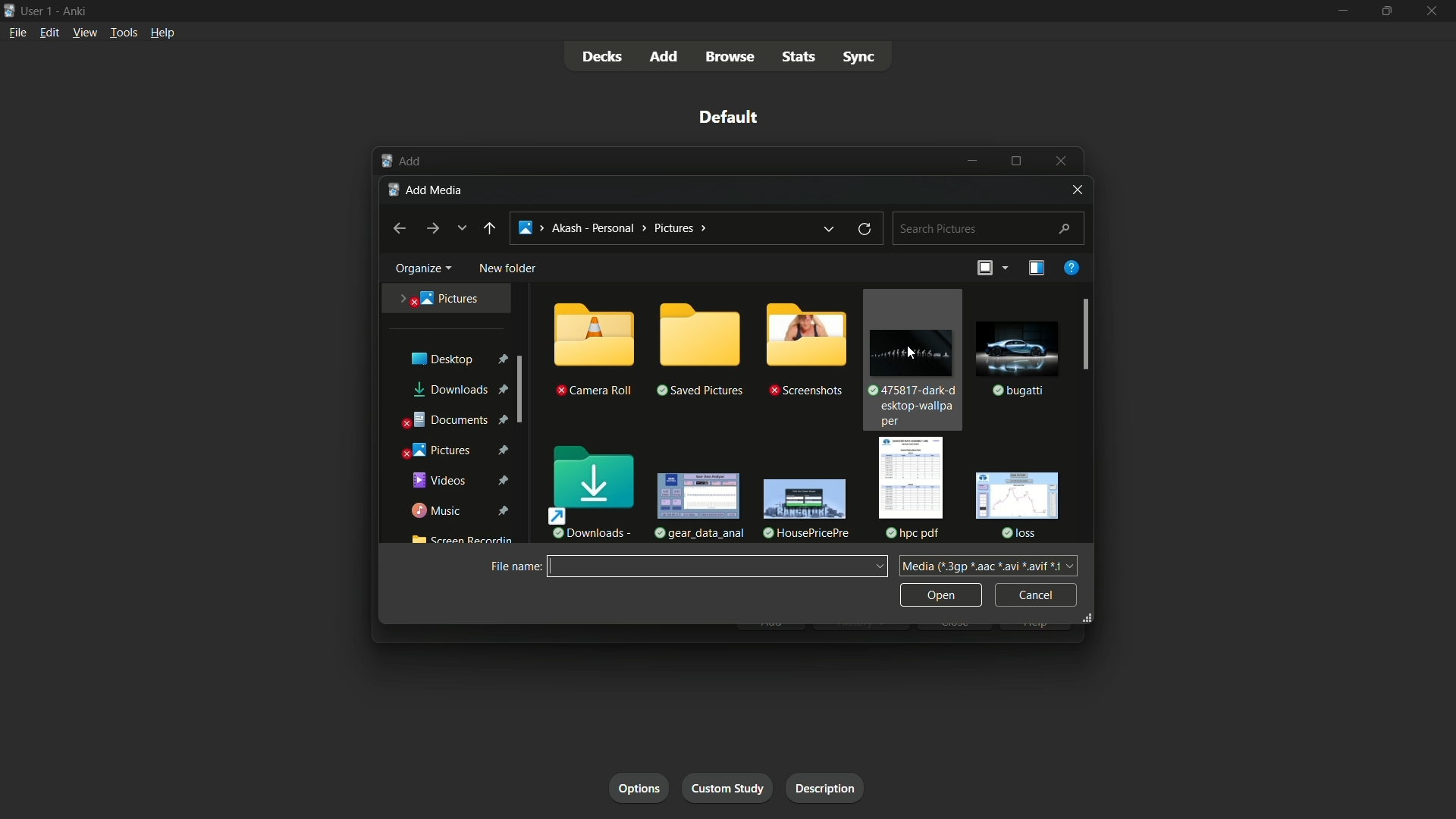 This screenshot has height=819, width=1456. I want to click on file-6, so click(1021, 502).